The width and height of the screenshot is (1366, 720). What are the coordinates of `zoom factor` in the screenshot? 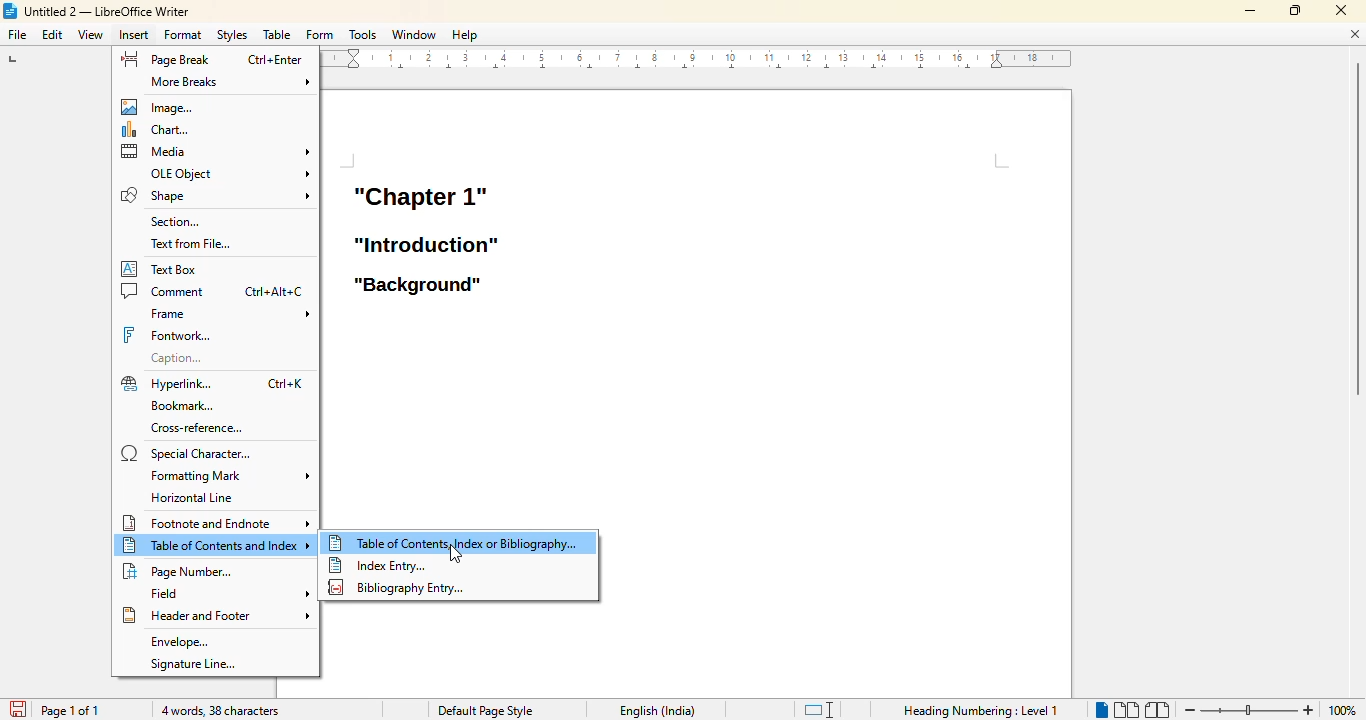 It's located at (1344, 711).